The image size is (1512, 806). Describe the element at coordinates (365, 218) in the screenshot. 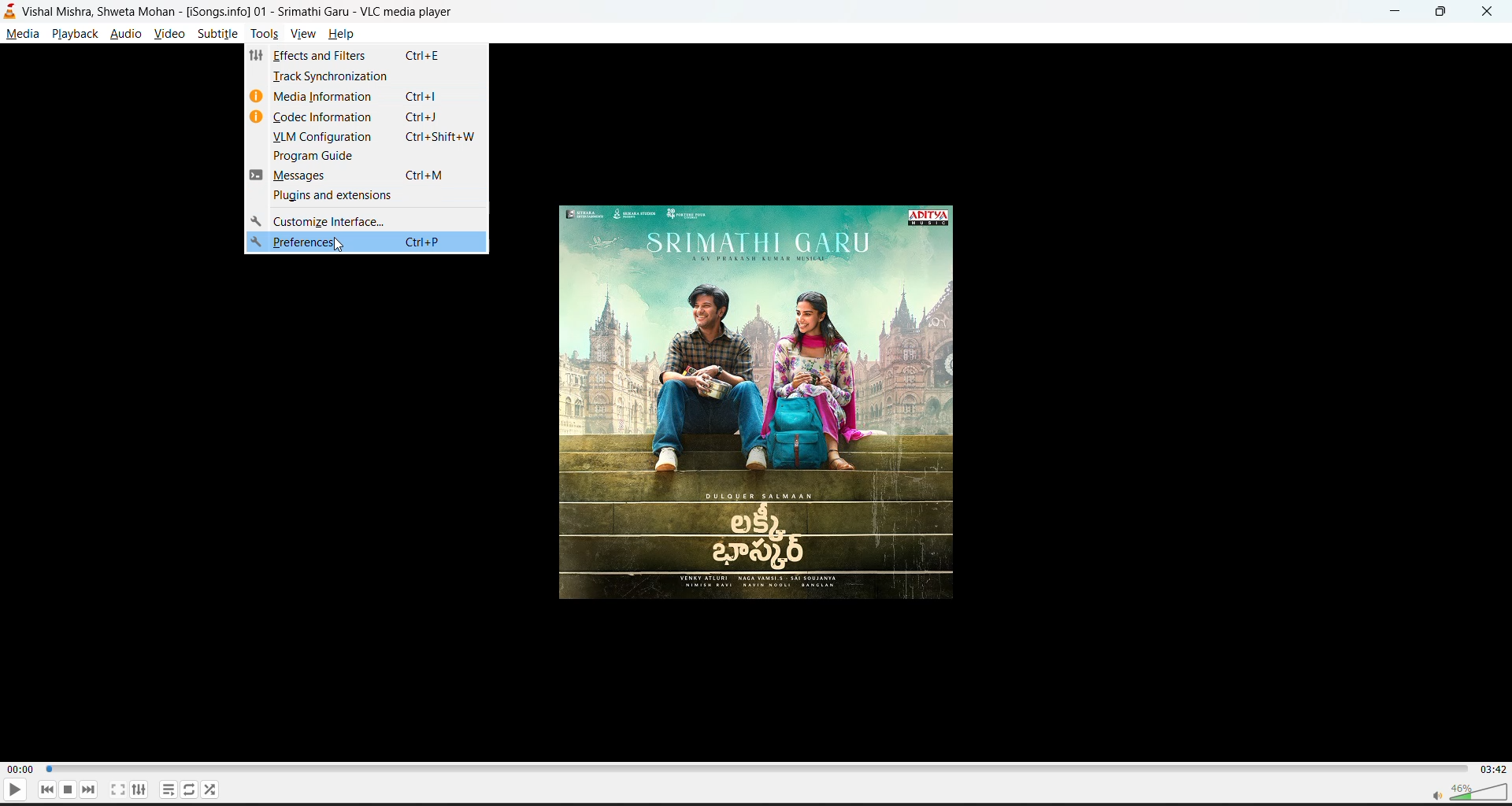

I see `customize interface` at that location.